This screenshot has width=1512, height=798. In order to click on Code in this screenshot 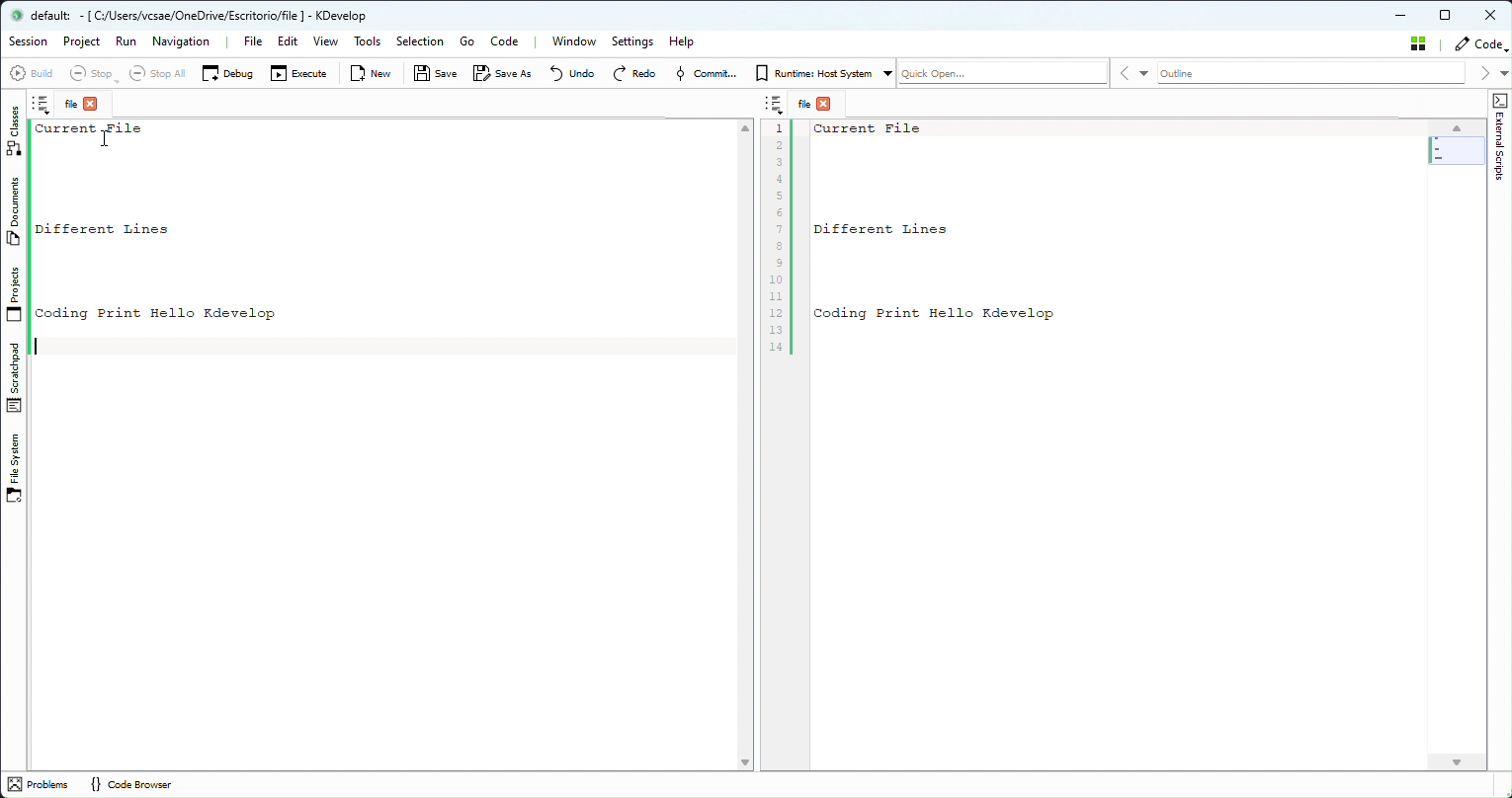, I will do `click(505, 41)`.